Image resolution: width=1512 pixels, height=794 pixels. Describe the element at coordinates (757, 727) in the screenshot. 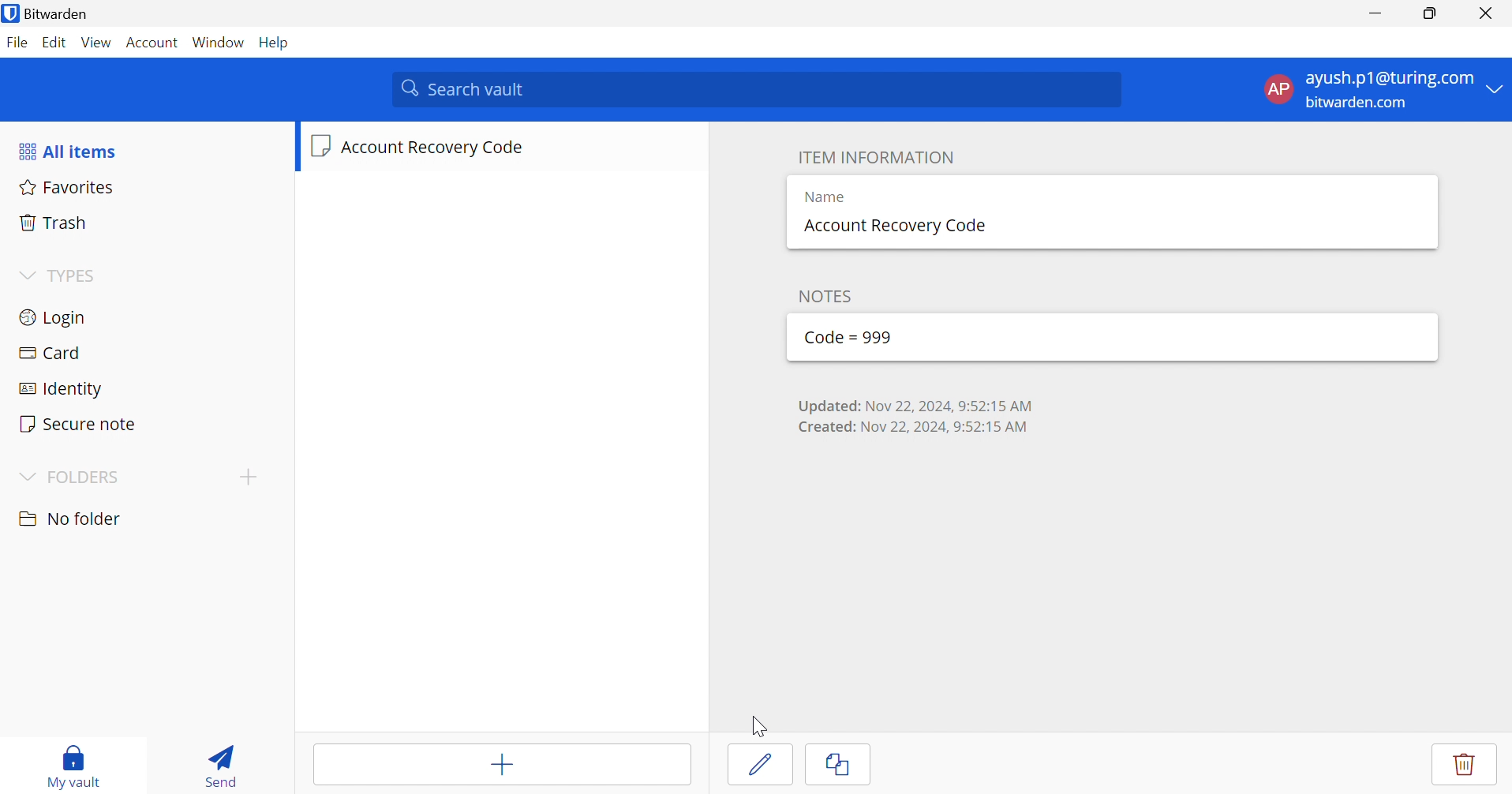

I see `Cursor` at that location.